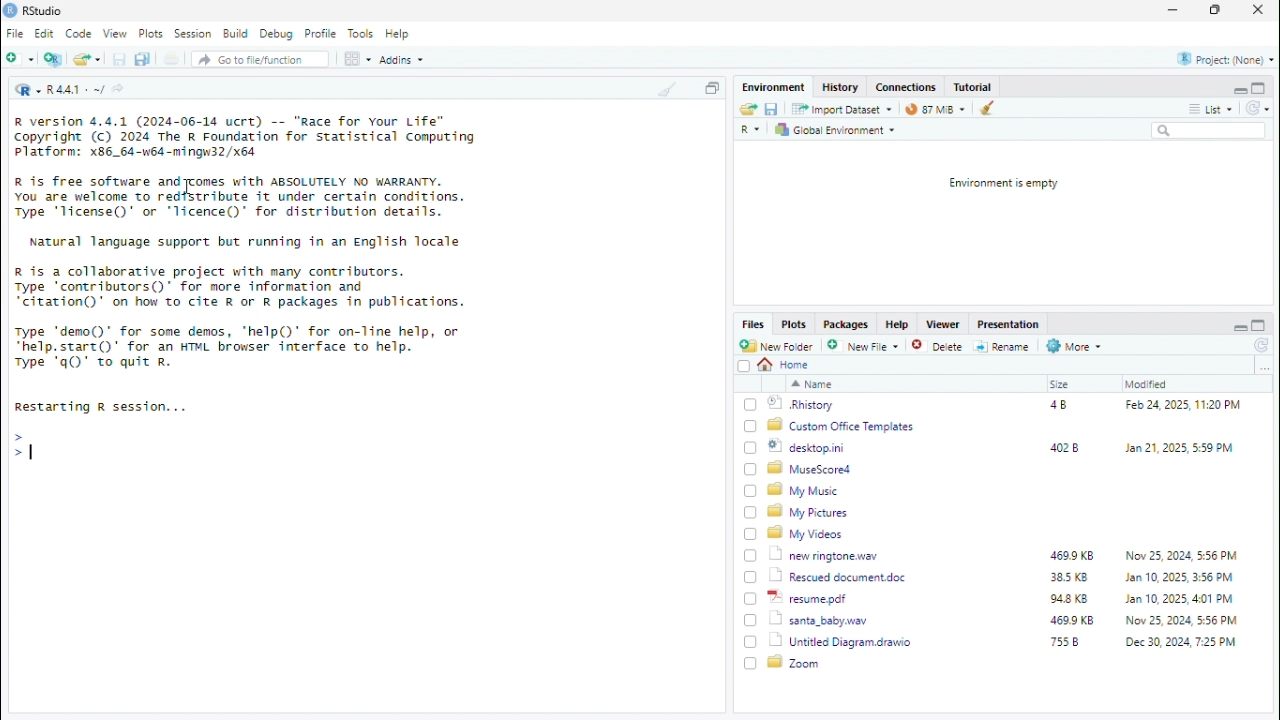  Describe the element at coordinates (899, 325) in the screenshot. I see `Help` at that location.